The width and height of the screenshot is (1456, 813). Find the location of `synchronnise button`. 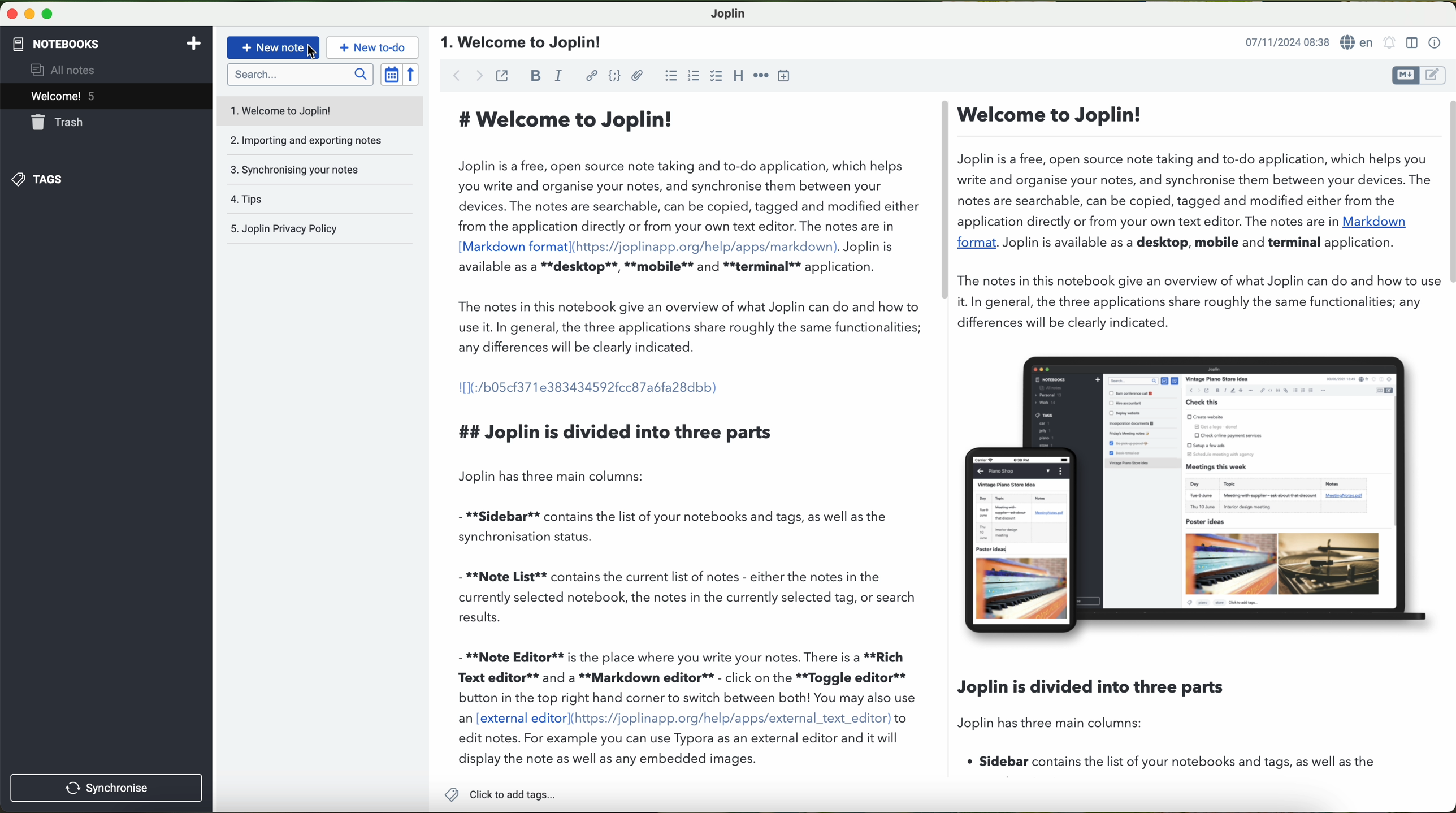

synchronnise button is located at coordinates (105, 789).